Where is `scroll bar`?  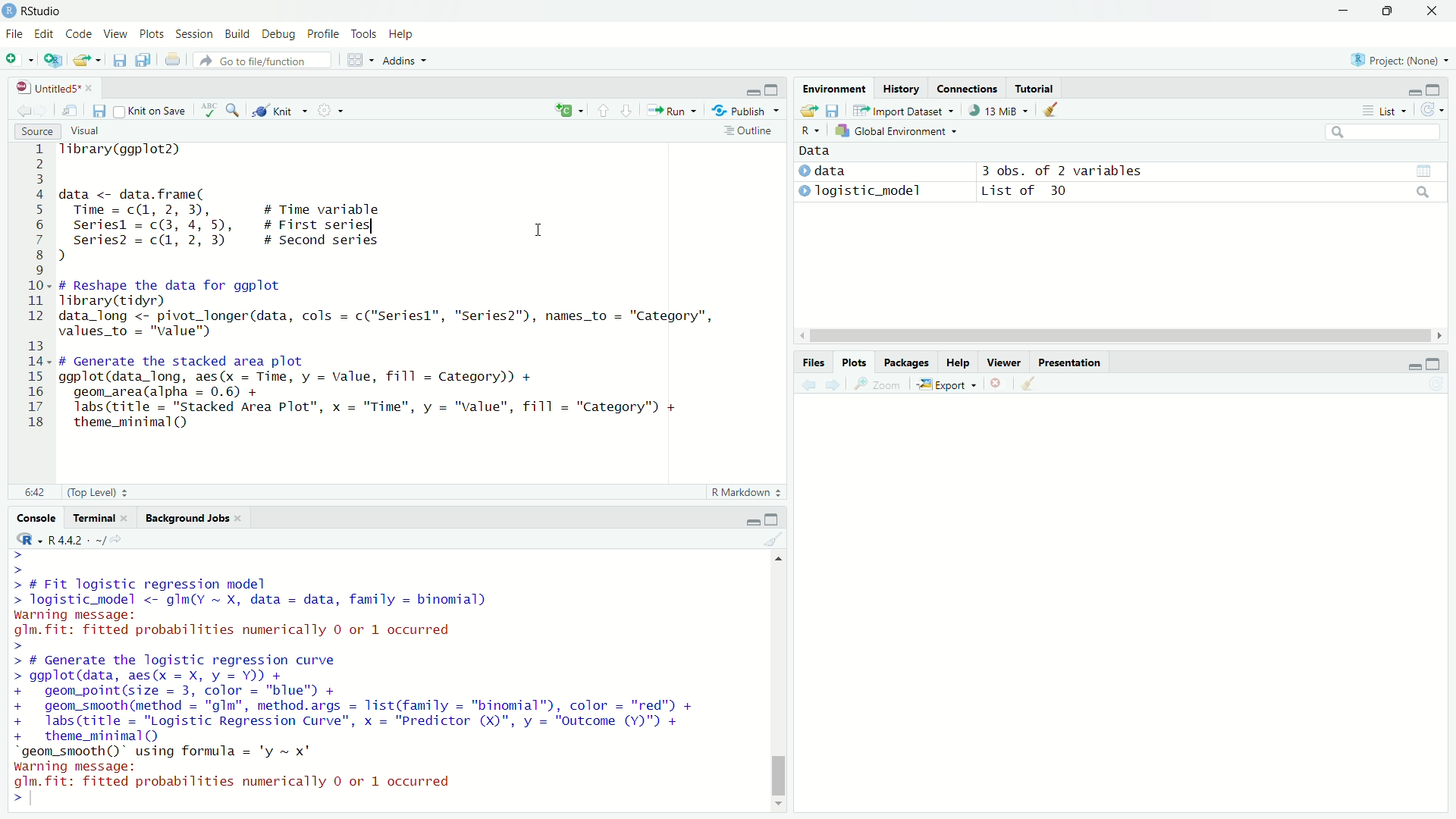 scroll bar is located at coordinates (1117, 337).